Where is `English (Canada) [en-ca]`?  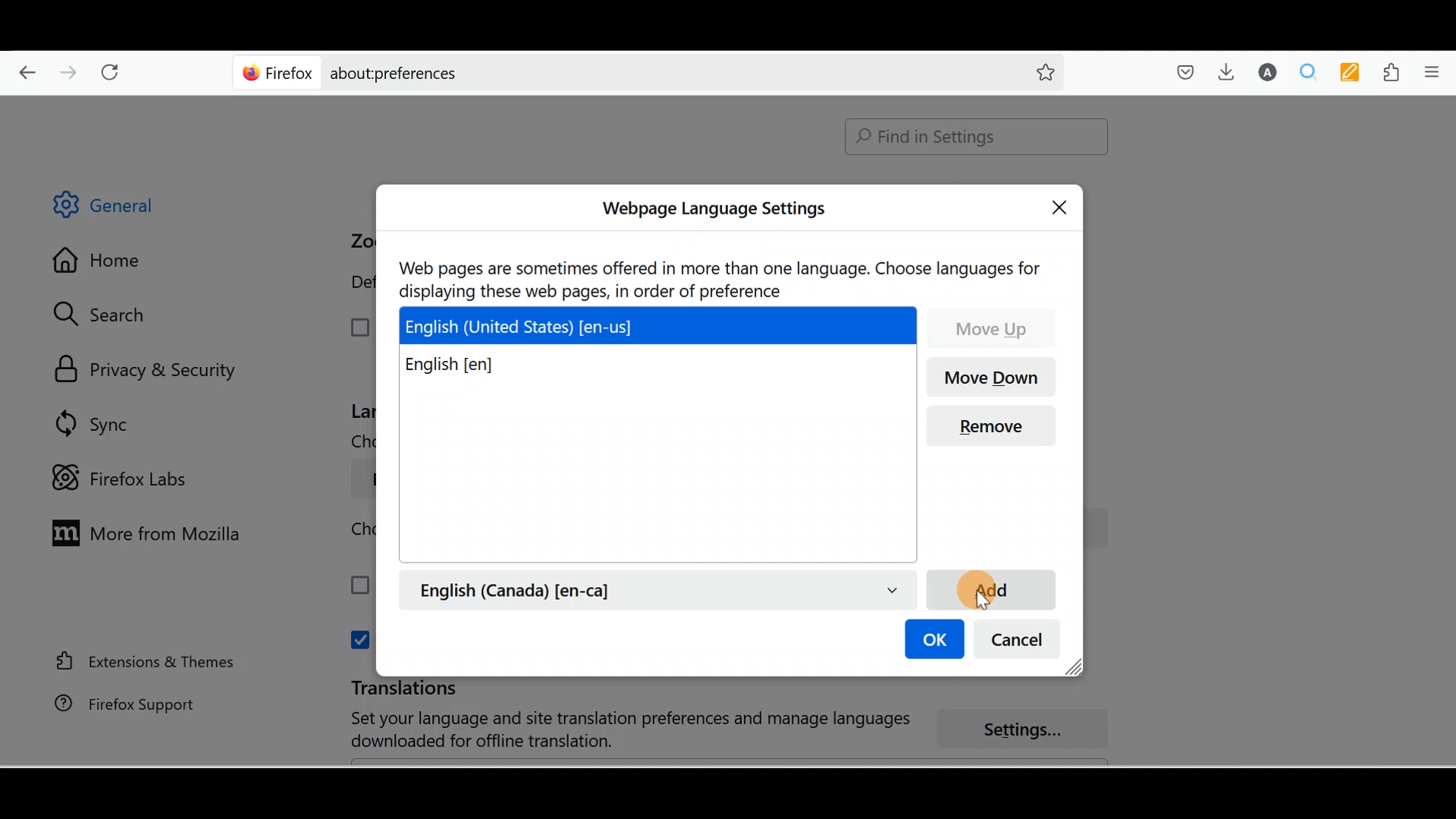 English (Canada) [en-ca] is located at coordinates (657, 589).